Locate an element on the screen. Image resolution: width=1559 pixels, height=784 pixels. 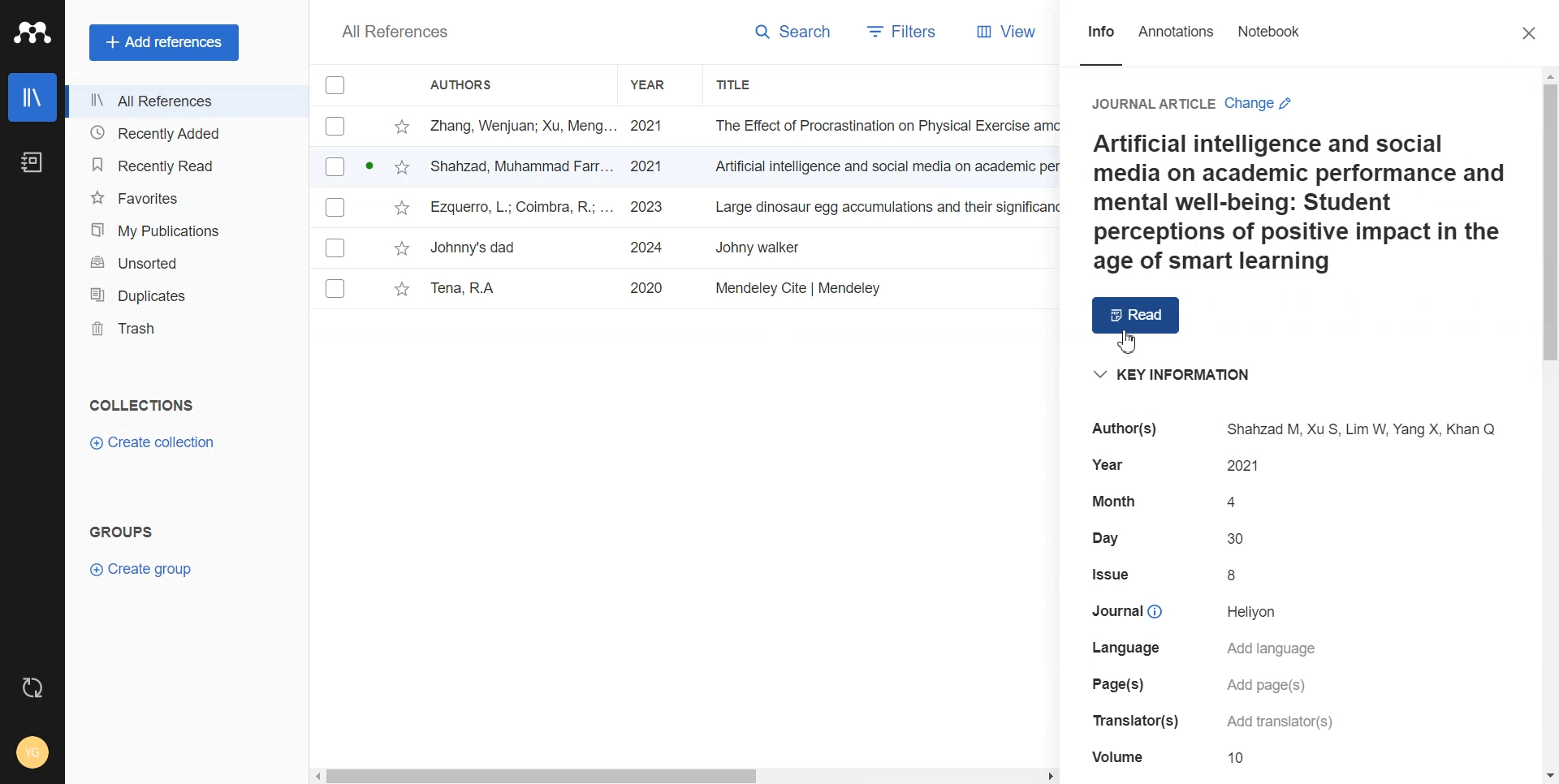
Horizontal scroll bar is located at coordinates (685, 773).